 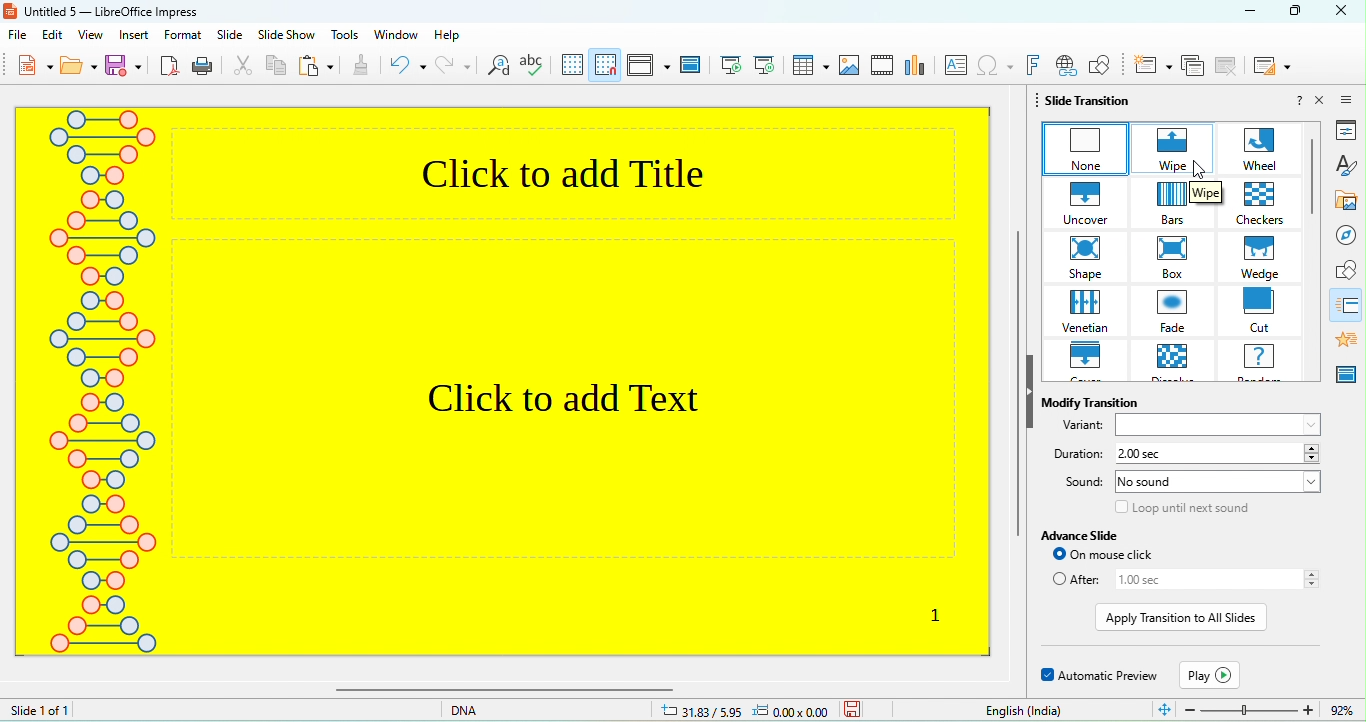 I want to click on gallery, so click(x=1346, y=201).